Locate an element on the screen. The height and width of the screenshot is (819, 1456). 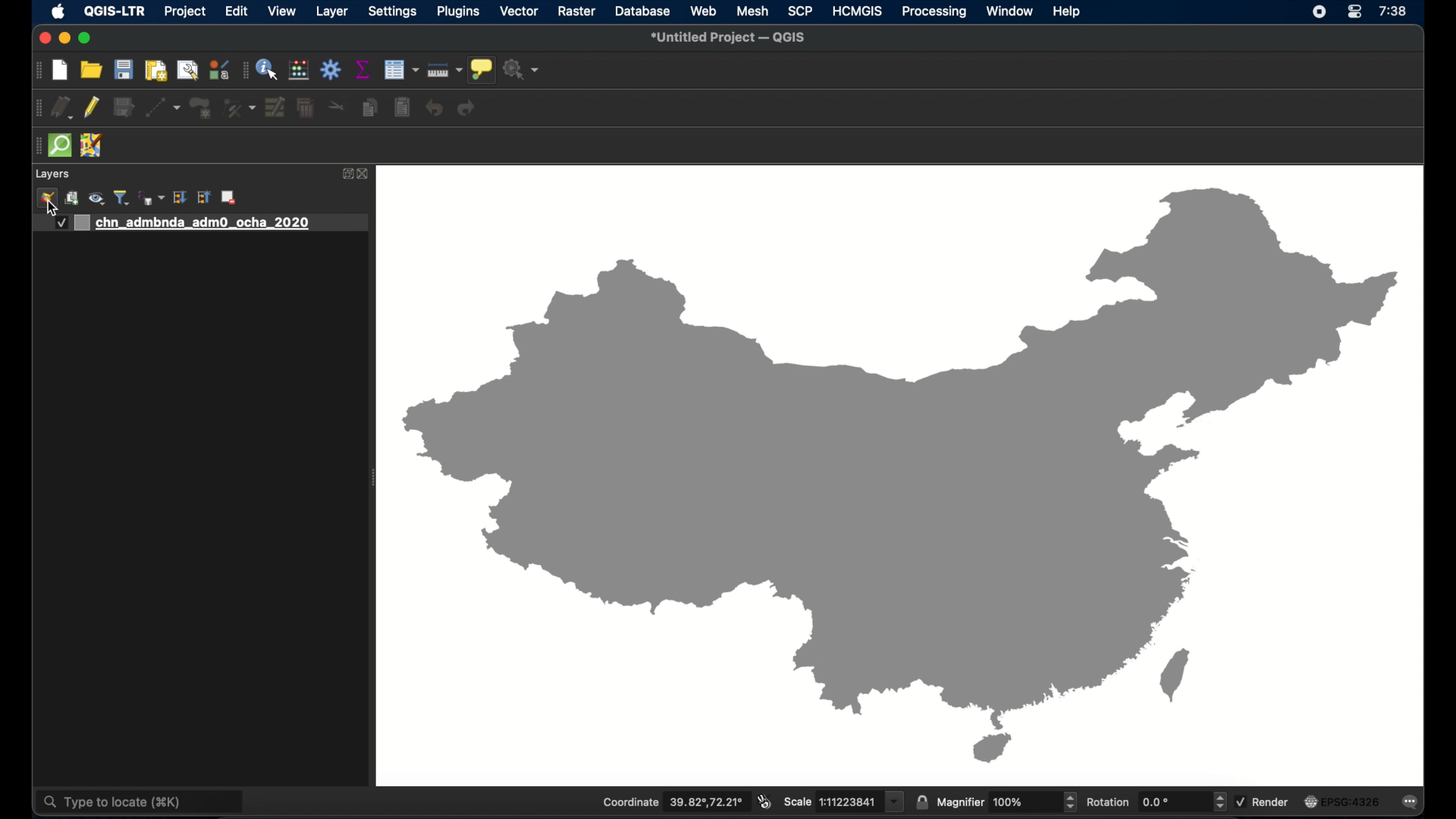
polygon feature is located at coordinates (201, 108).